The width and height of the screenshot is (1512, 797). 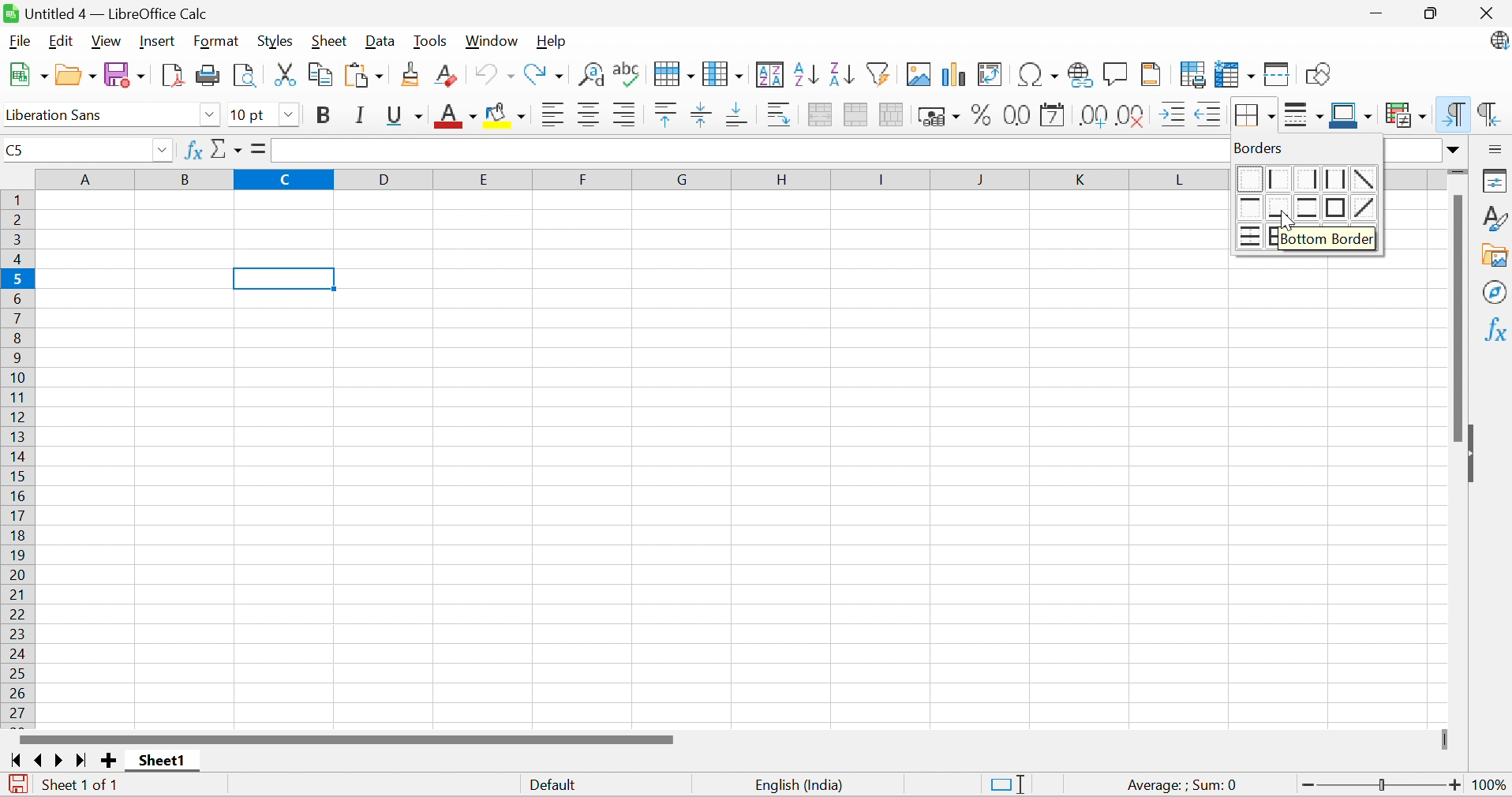 What do you see at coordinates (593, 76) in the screenshot?
I see `Find and replace` at bounding box center [593, 76].